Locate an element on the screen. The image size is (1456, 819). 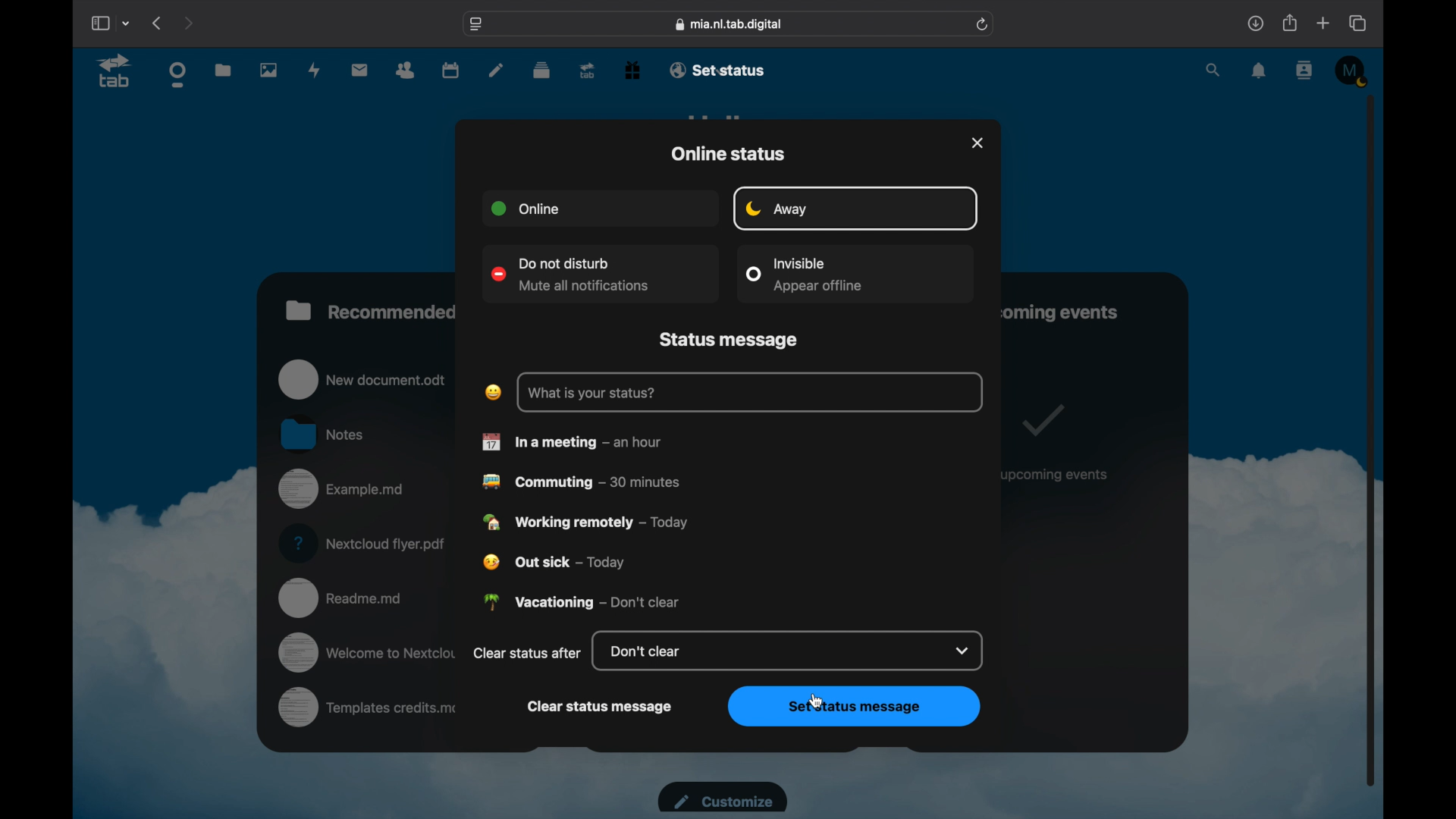
don't clear is located at coordinates (792, 652).